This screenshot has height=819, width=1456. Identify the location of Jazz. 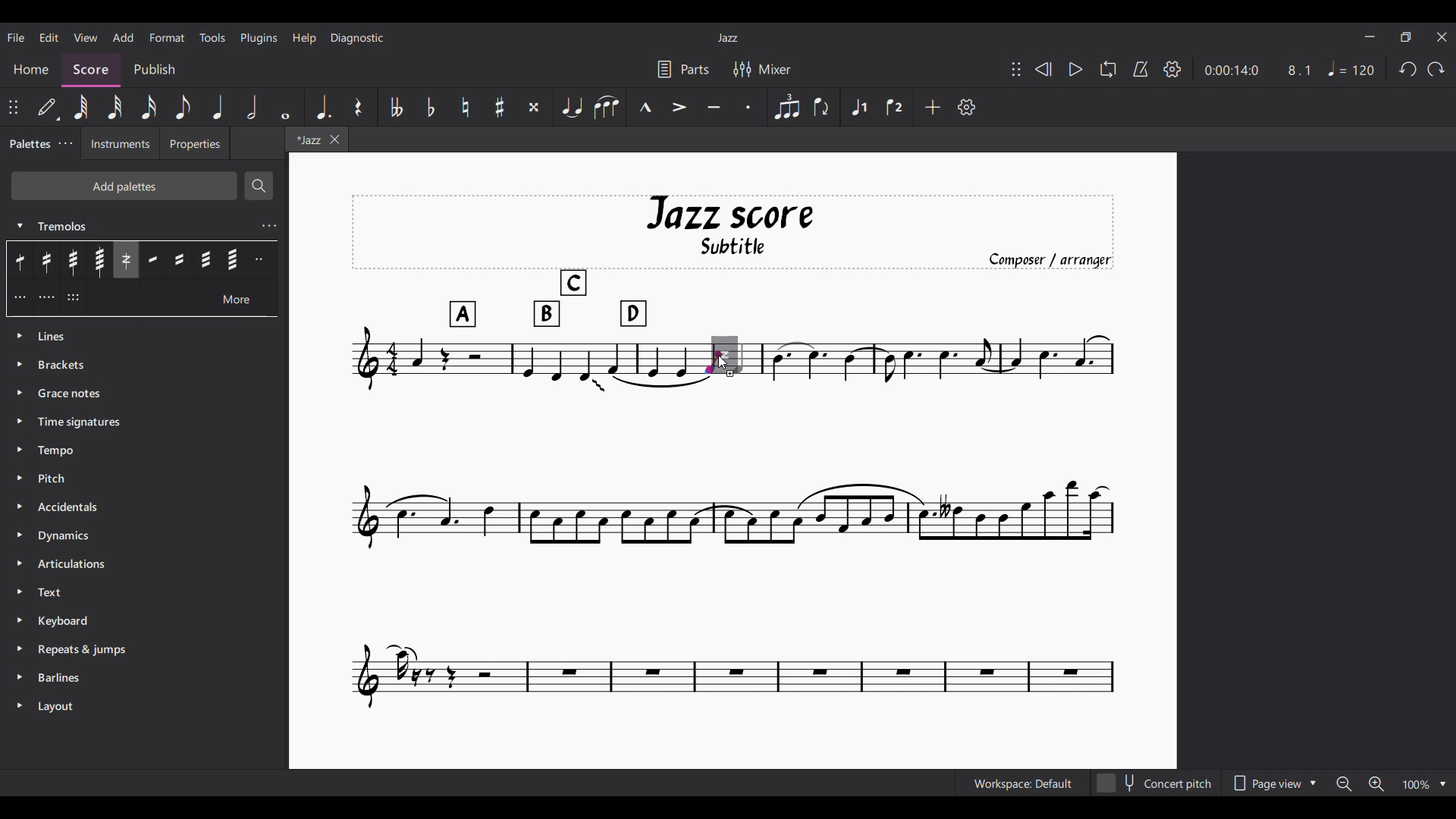
(728, 37).